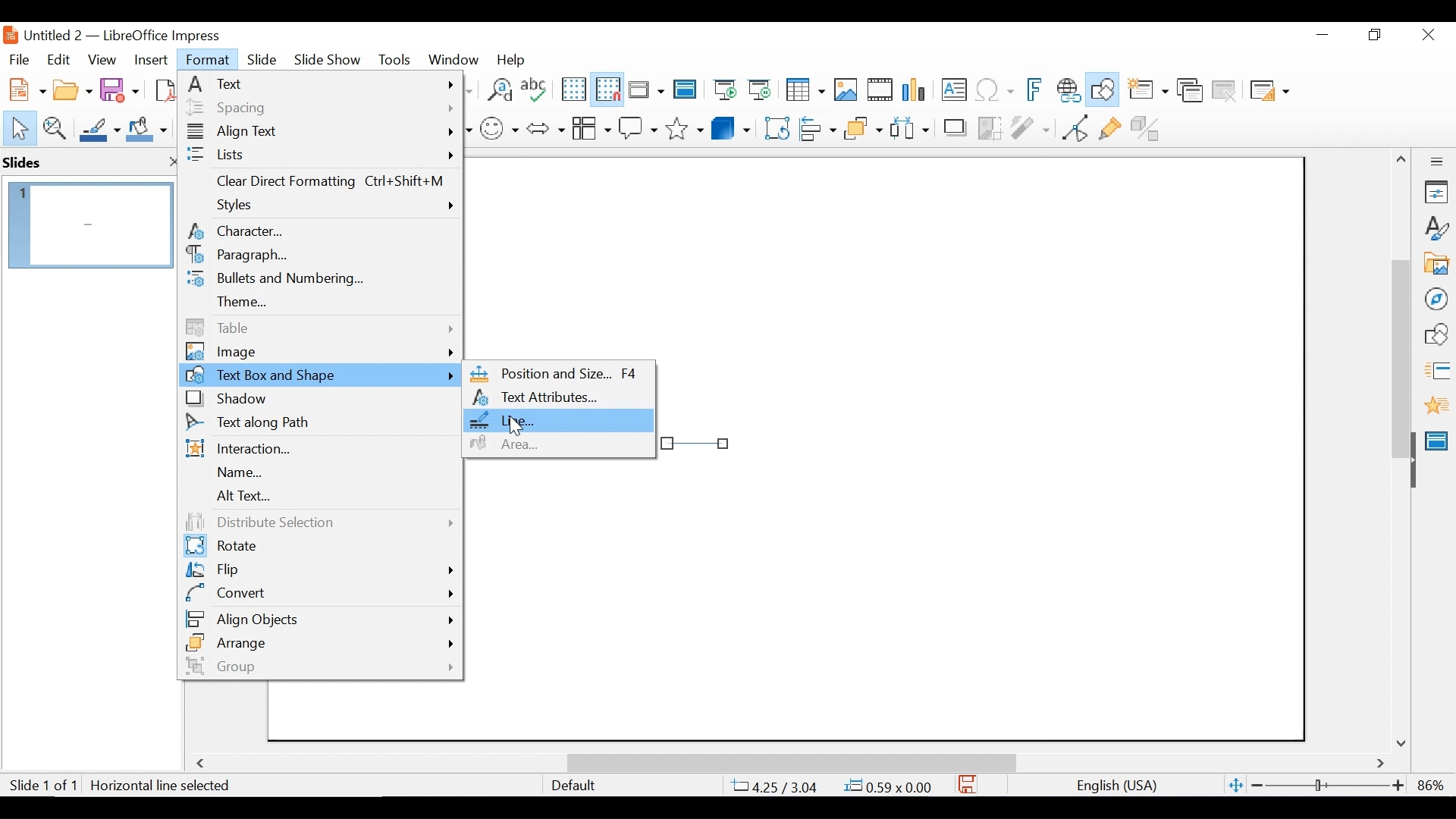  I want to click on Default, so click(573, 786).